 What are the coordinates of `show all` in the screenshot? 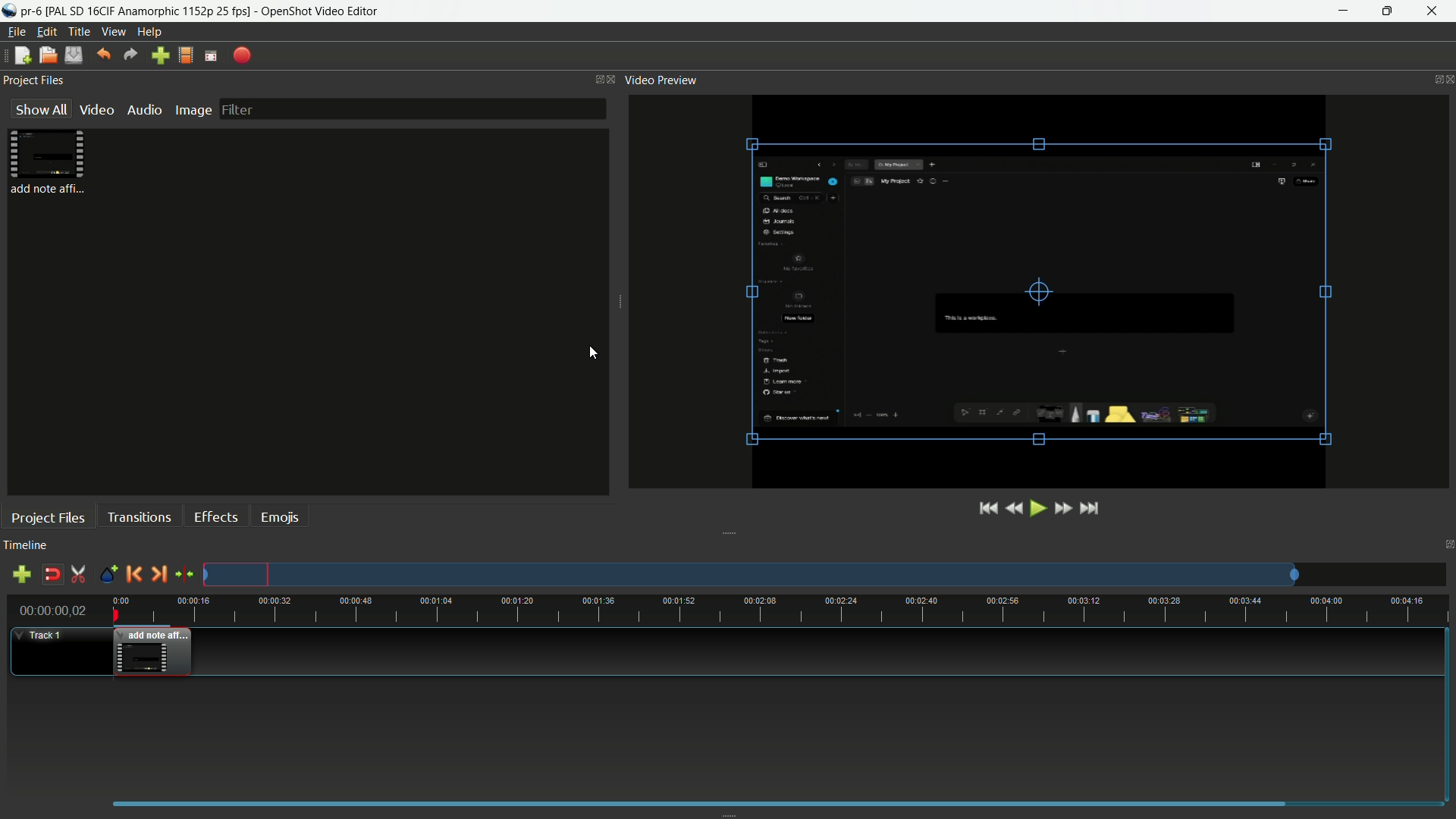 It's located at (39, 108).